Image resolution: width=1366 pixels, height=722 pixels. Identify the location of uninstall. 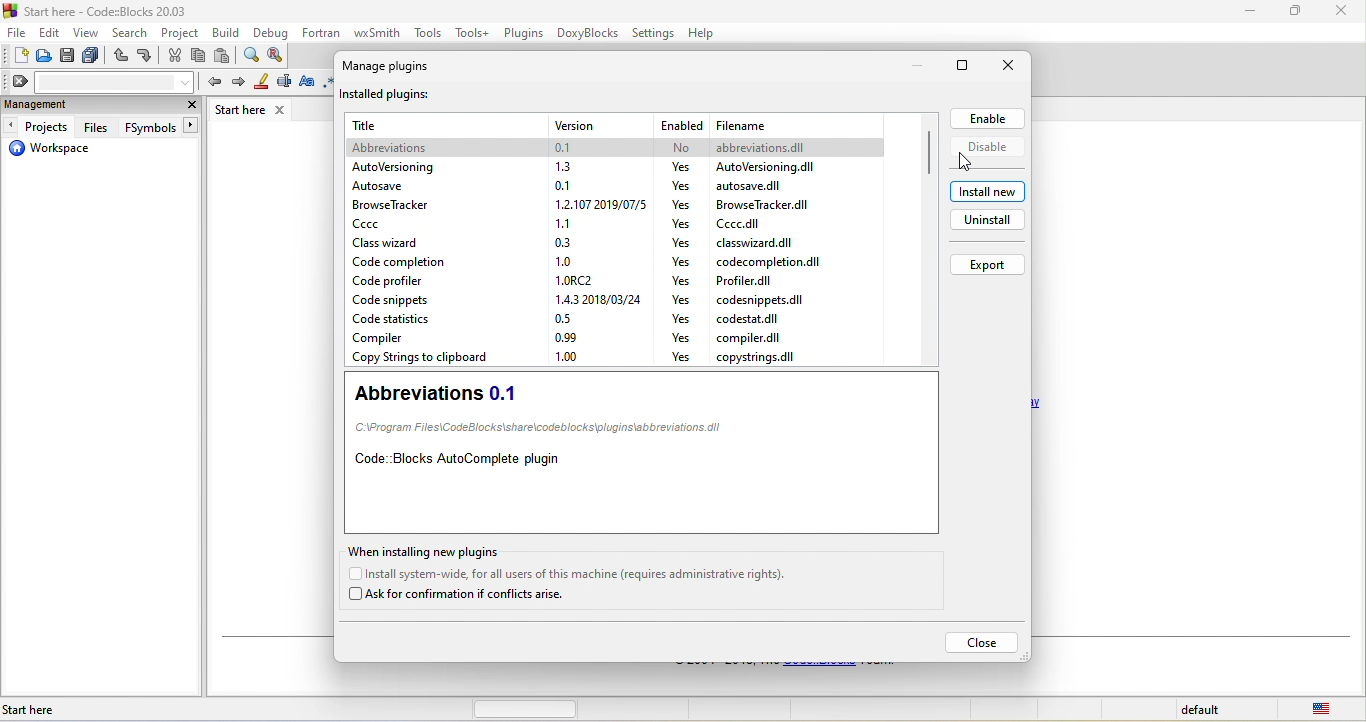
(987, 223).